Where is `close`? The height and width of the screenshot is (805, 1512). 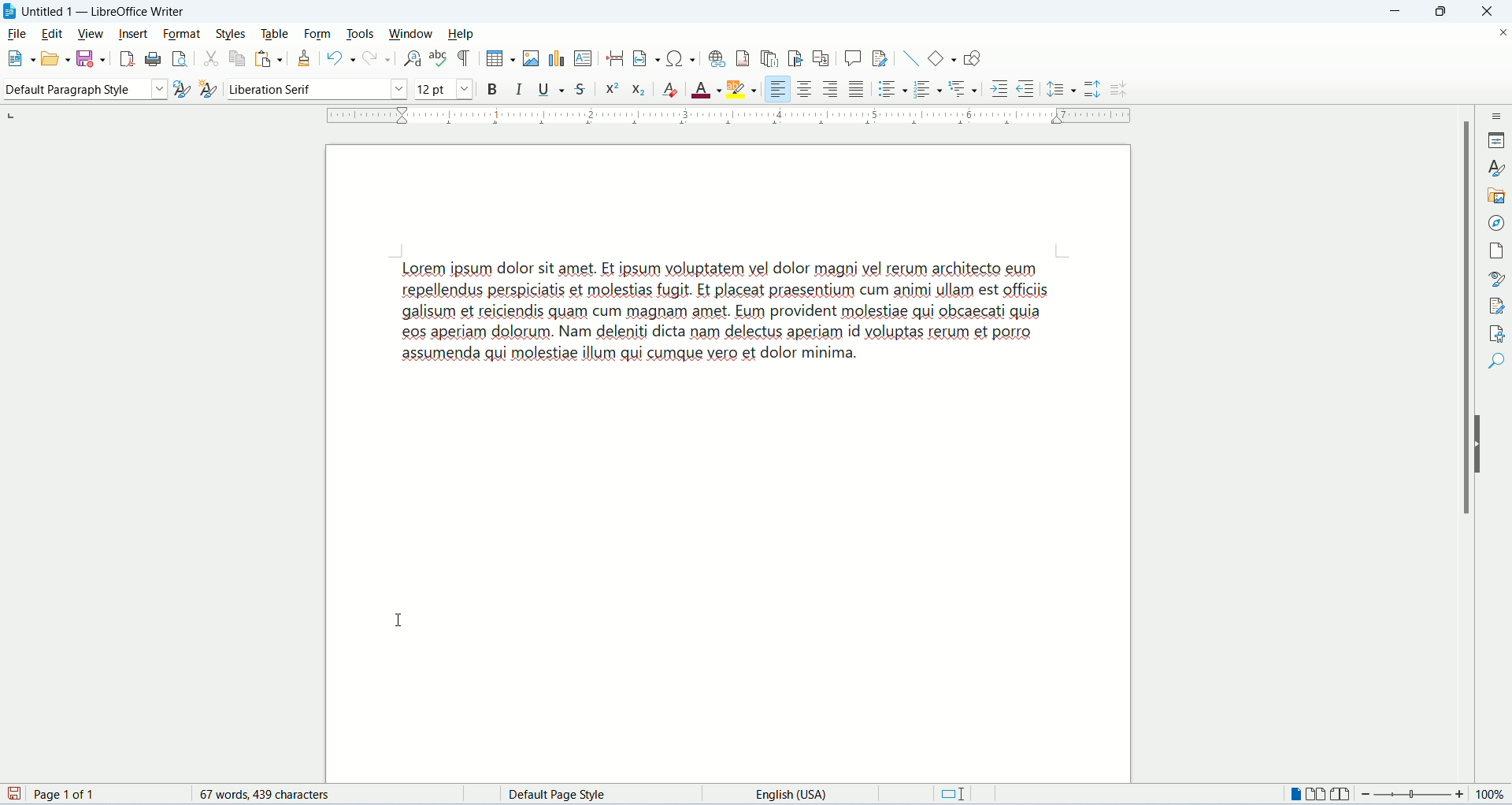
close is located at coordinates (1487, 13).